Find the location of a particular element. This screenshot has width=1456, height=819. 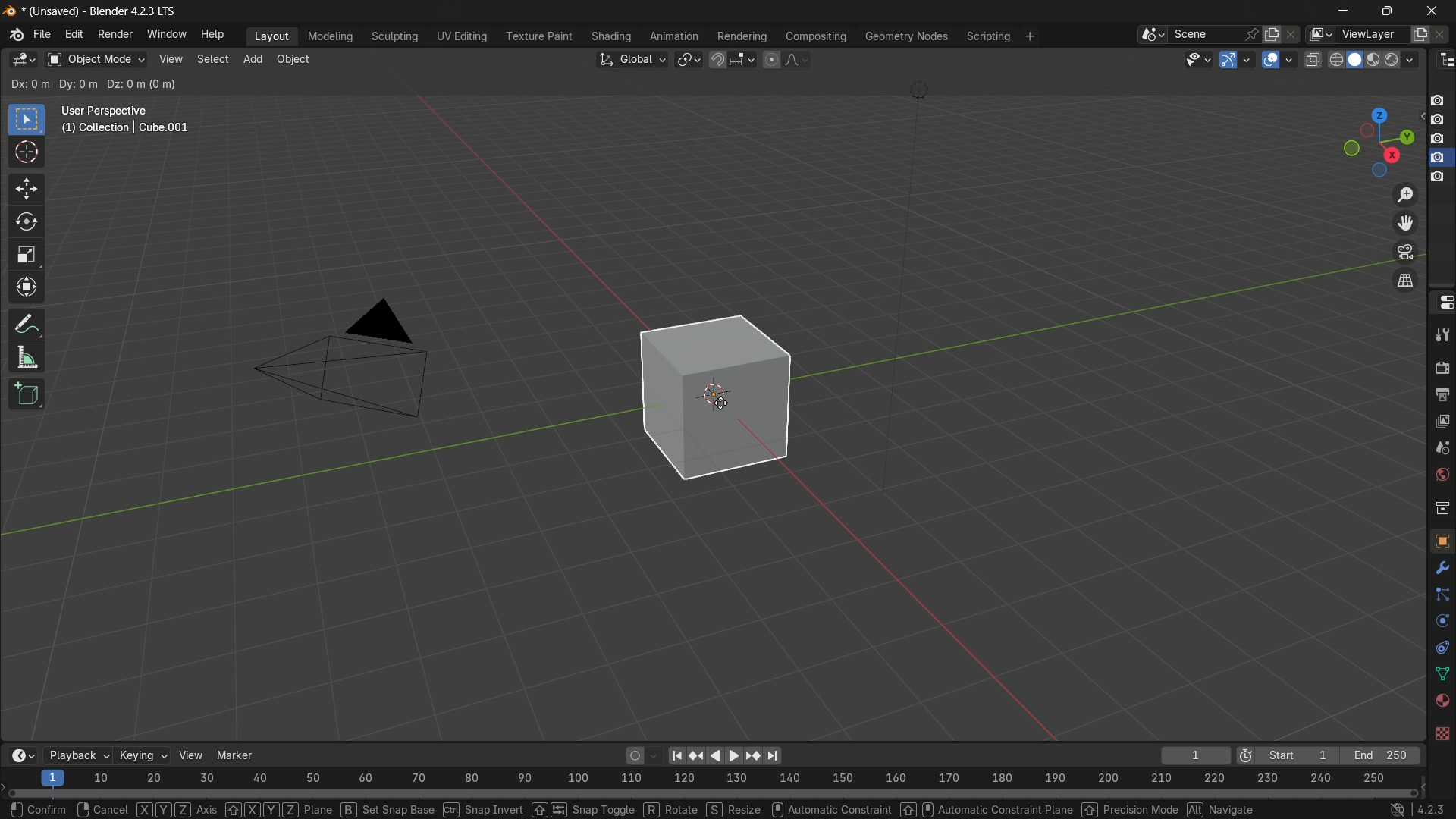

scripting menu is located at coordinates (987, 36).